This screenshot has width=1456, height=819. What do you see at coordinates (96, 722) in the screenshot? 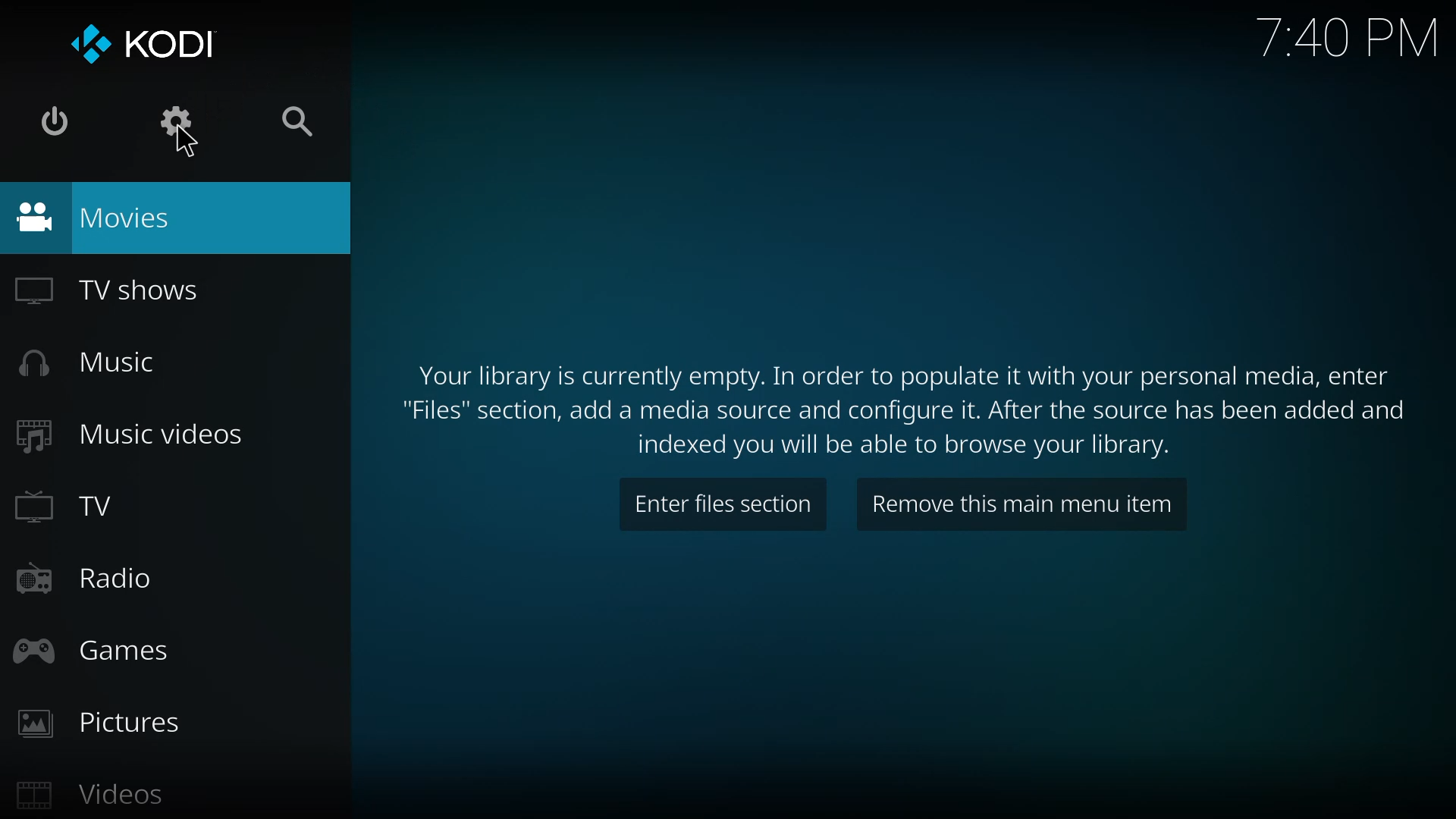
I see `pictures` at bounding box center [96, 722].